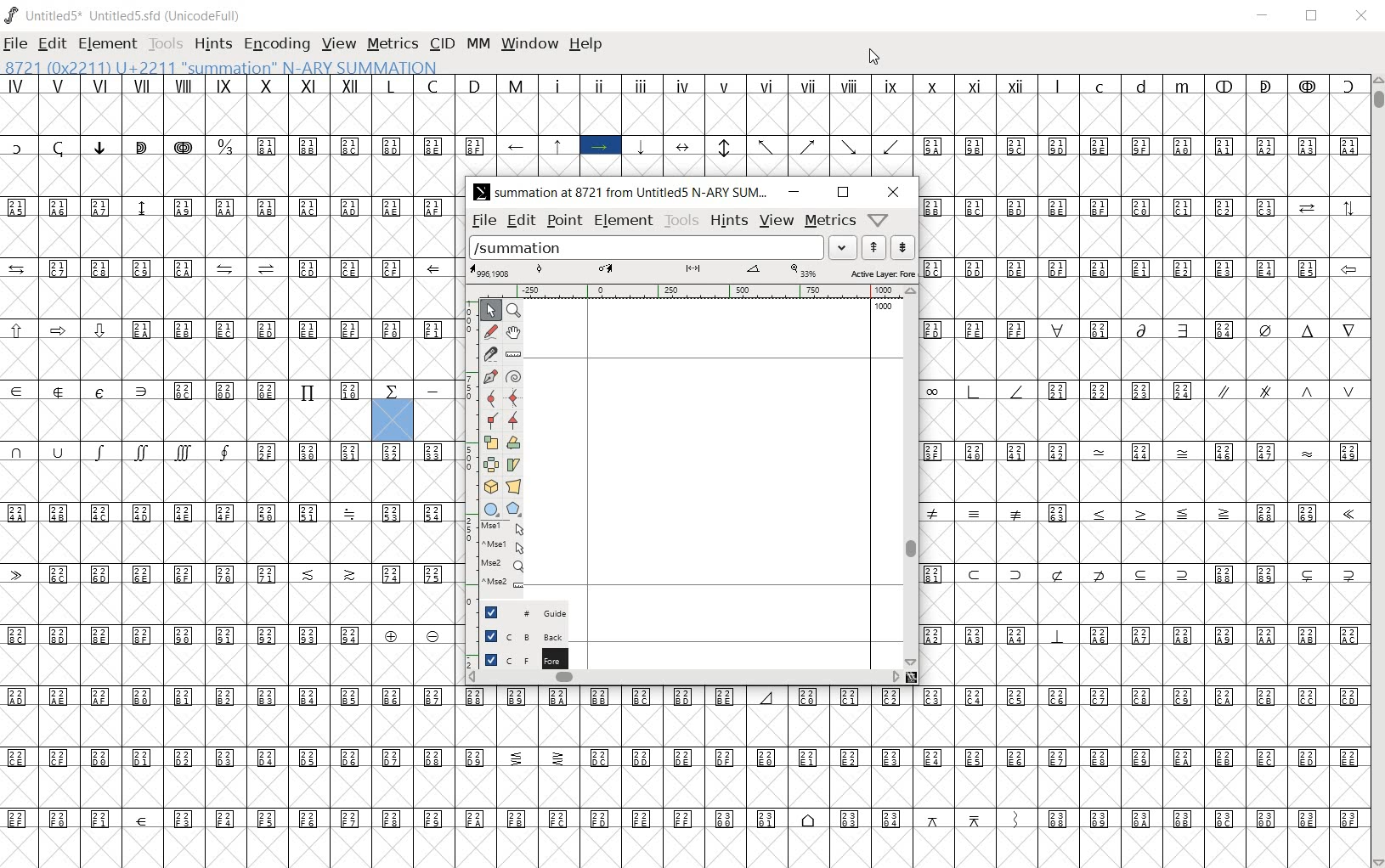 The width and height of the screenshot is (1385, 868). What do you see at coordinates (489, 352) in the screenshot?
I see `cut splines in two` at bounding box center [489, 352].